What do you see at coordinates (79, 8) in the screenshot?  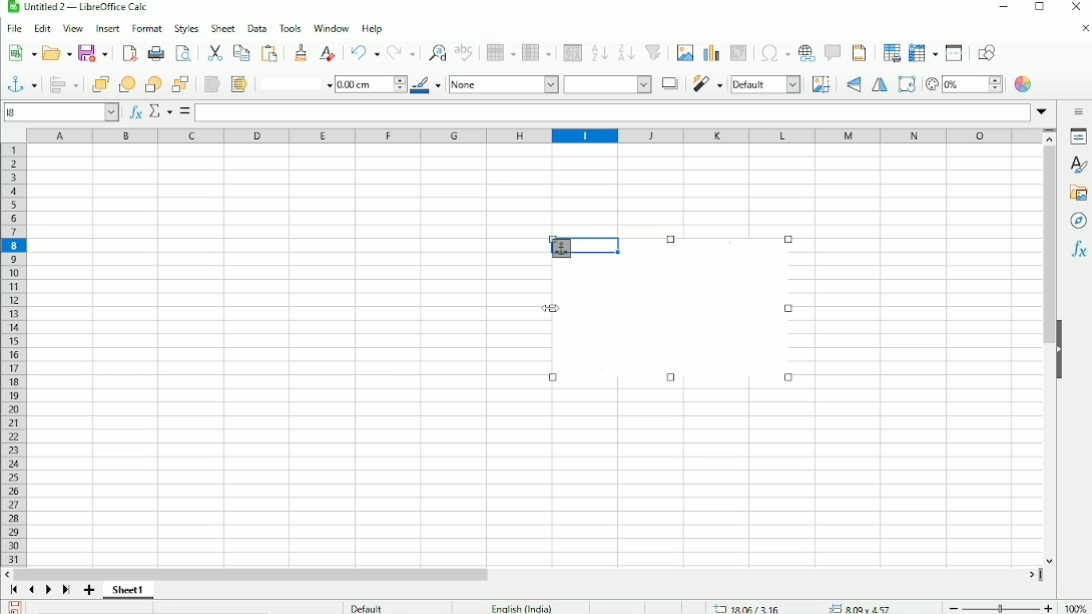 I see `Title` at bounding box center [79, 8].